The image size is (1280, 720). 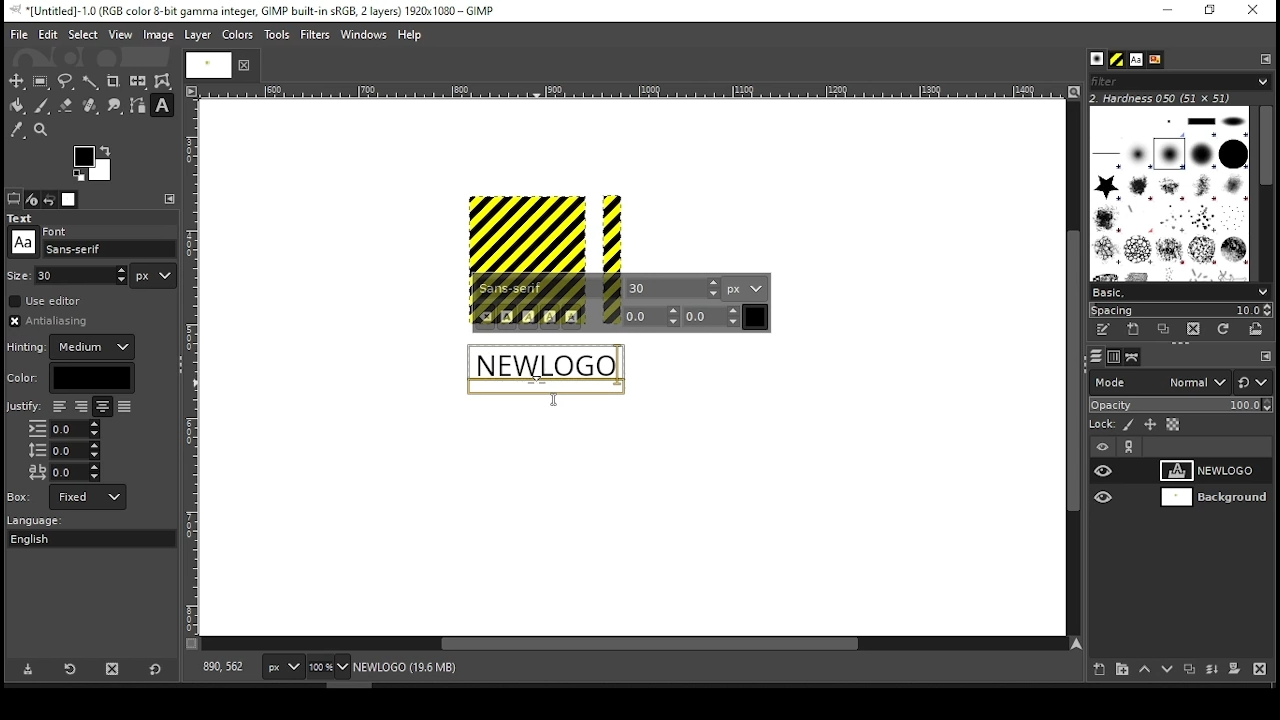 What do you see at coordinates (157, 35) in the screenshot?
I see `image` at bounding box center [157, 35].